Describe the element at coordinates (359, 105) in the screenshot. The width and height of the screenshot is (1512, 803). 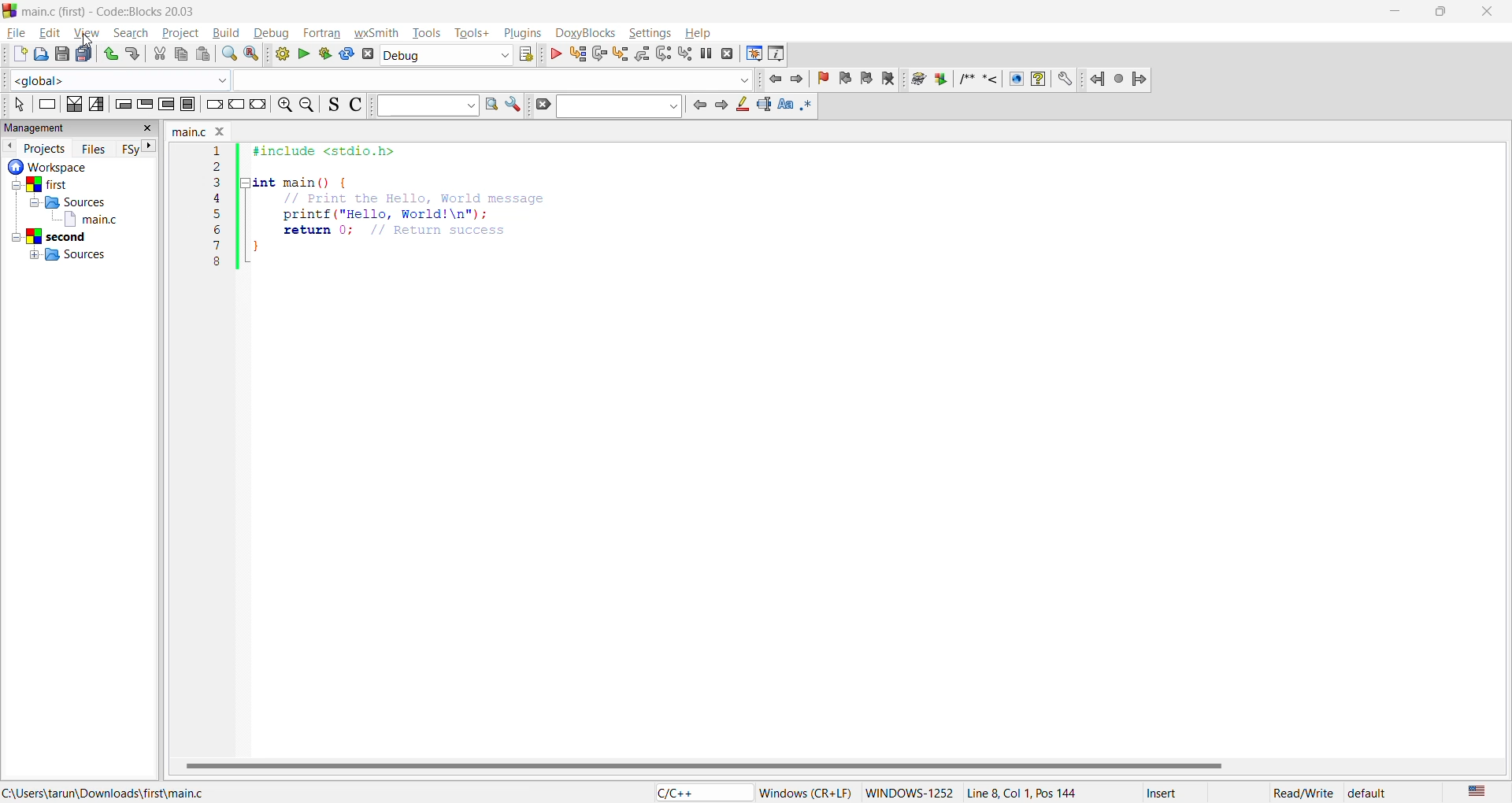
I see `toggle comments` at that location.